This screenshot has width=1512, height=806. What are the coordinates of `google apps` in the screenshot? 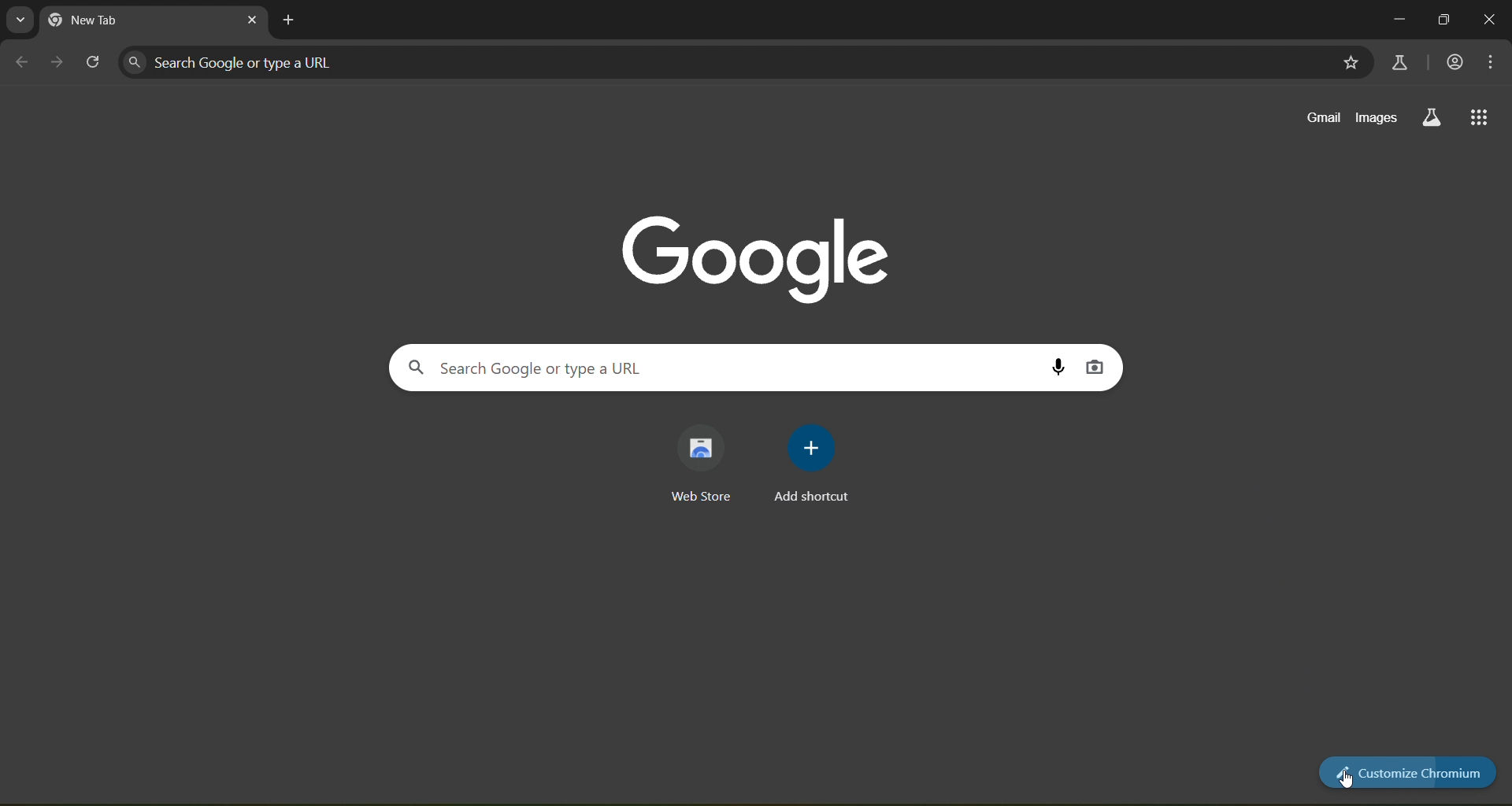 It's located at (1482, 117).